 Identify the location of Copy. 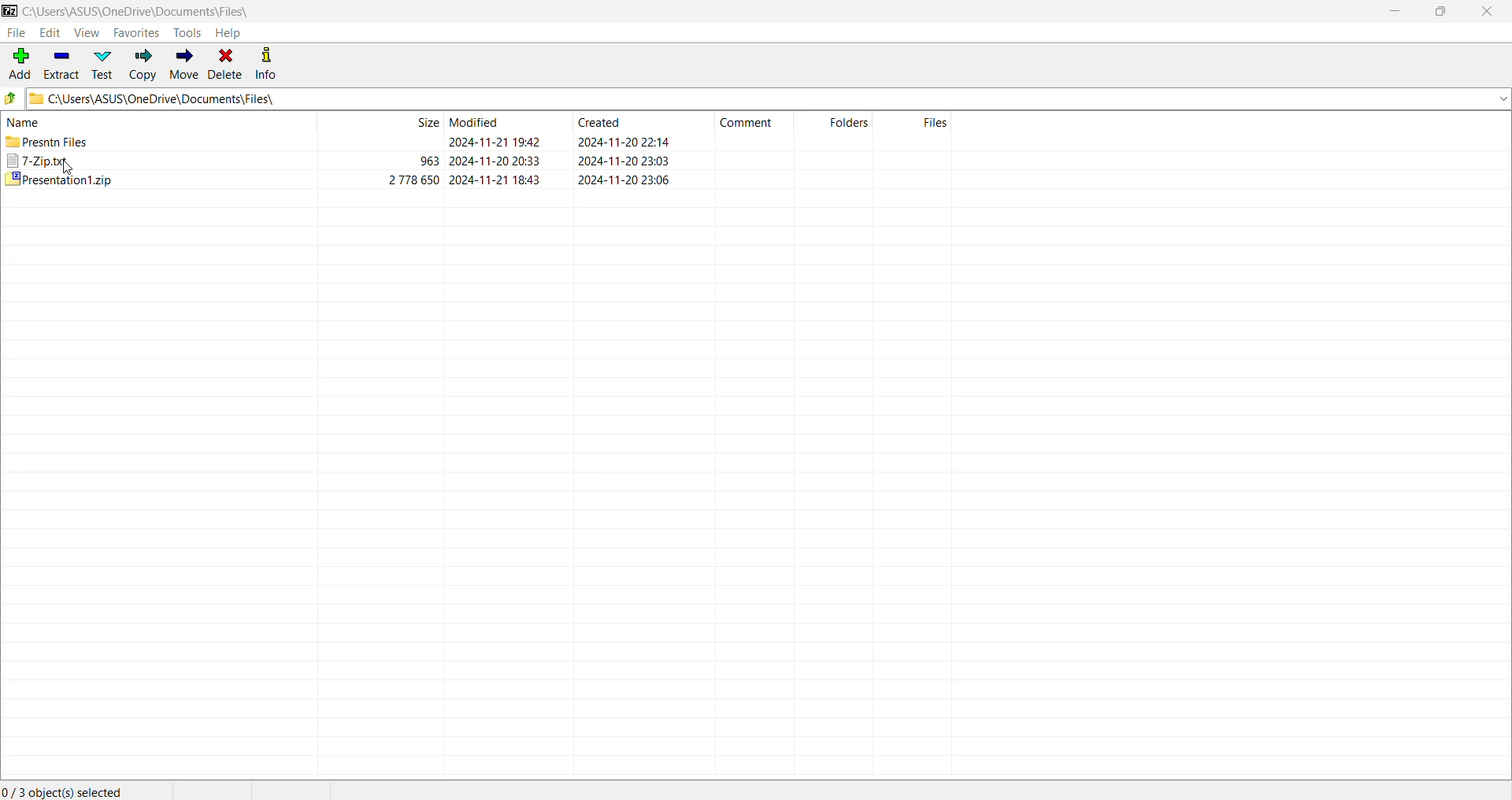
(140, 65).